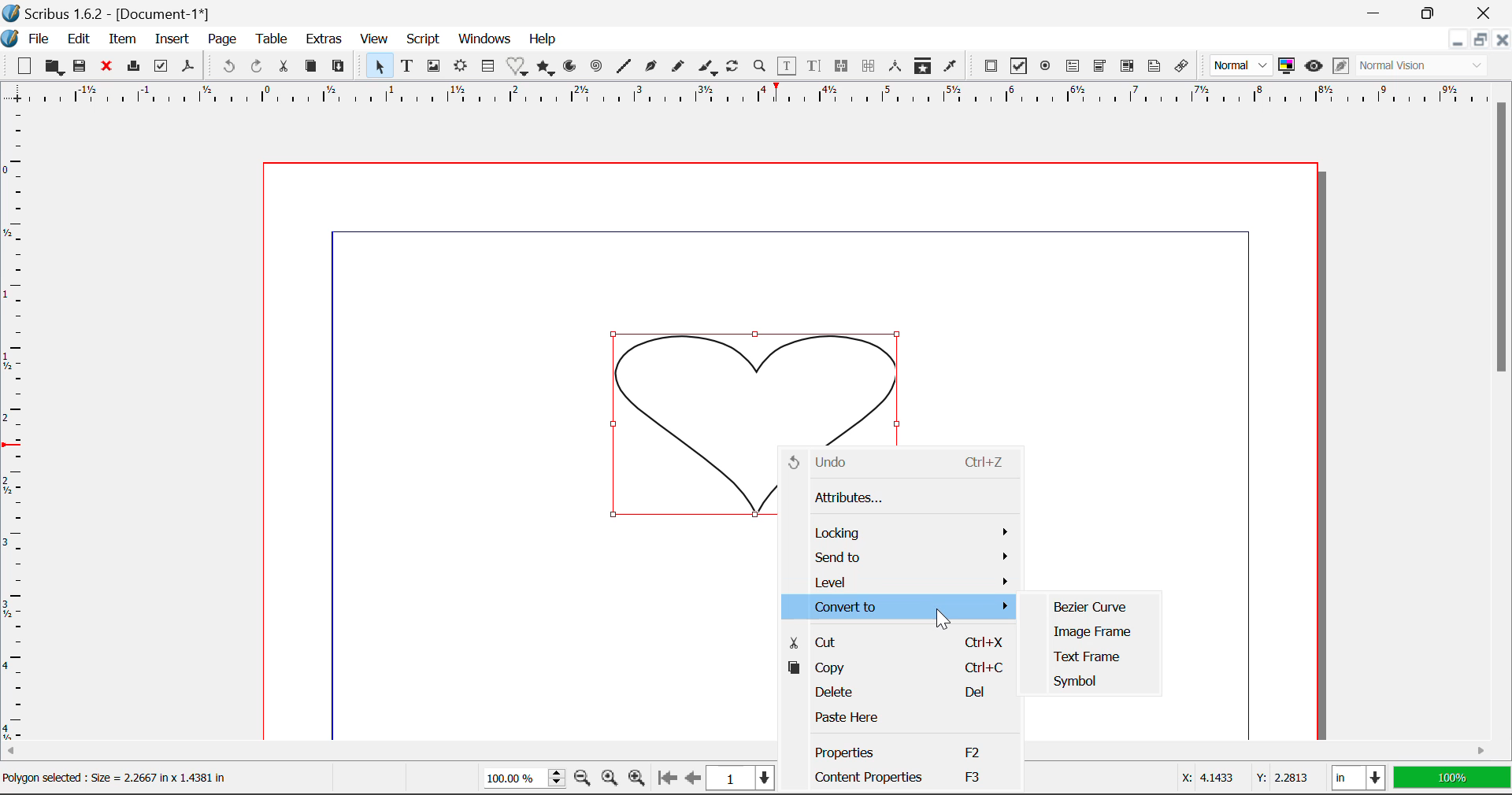 The image size is (1512, 795). What do you see at coordinates (162, 70) in the screenshot?
I see `Preflight Verifier` at bounding box center [162, 70].